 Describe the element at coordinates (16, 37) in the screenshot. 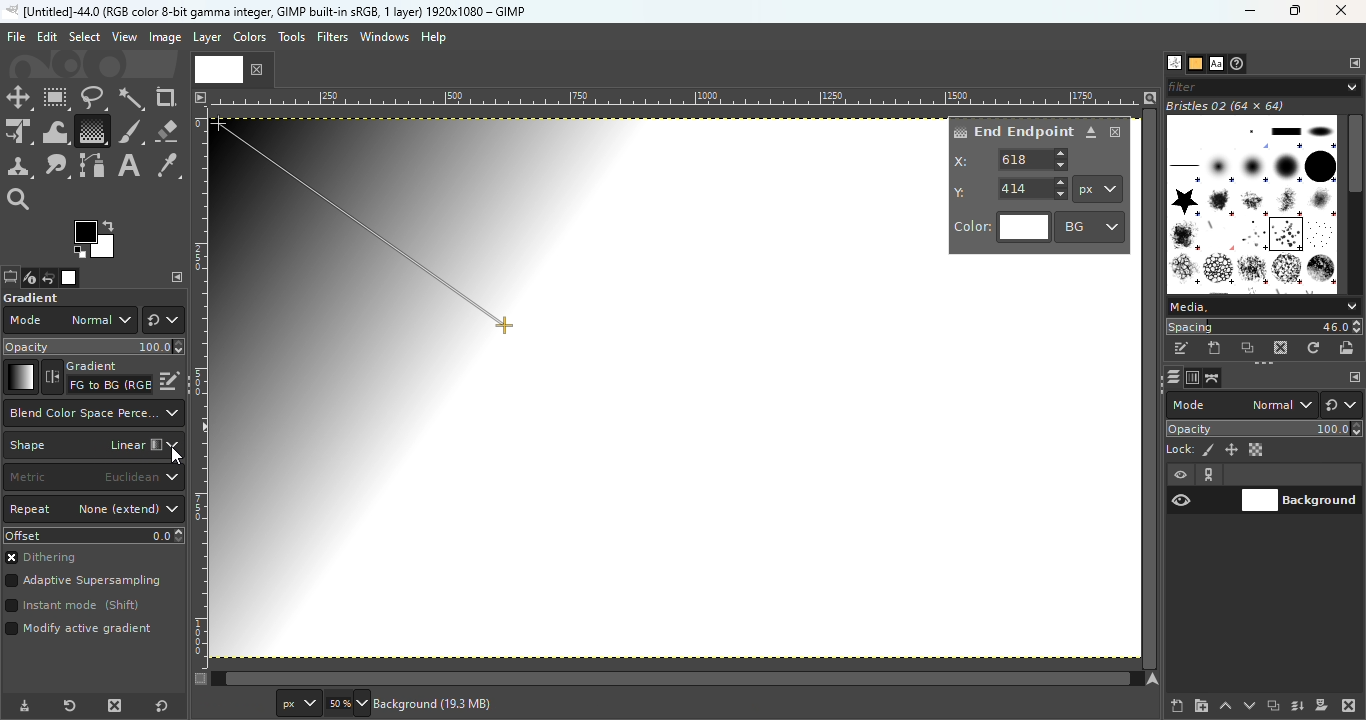

I see `File` at that location.